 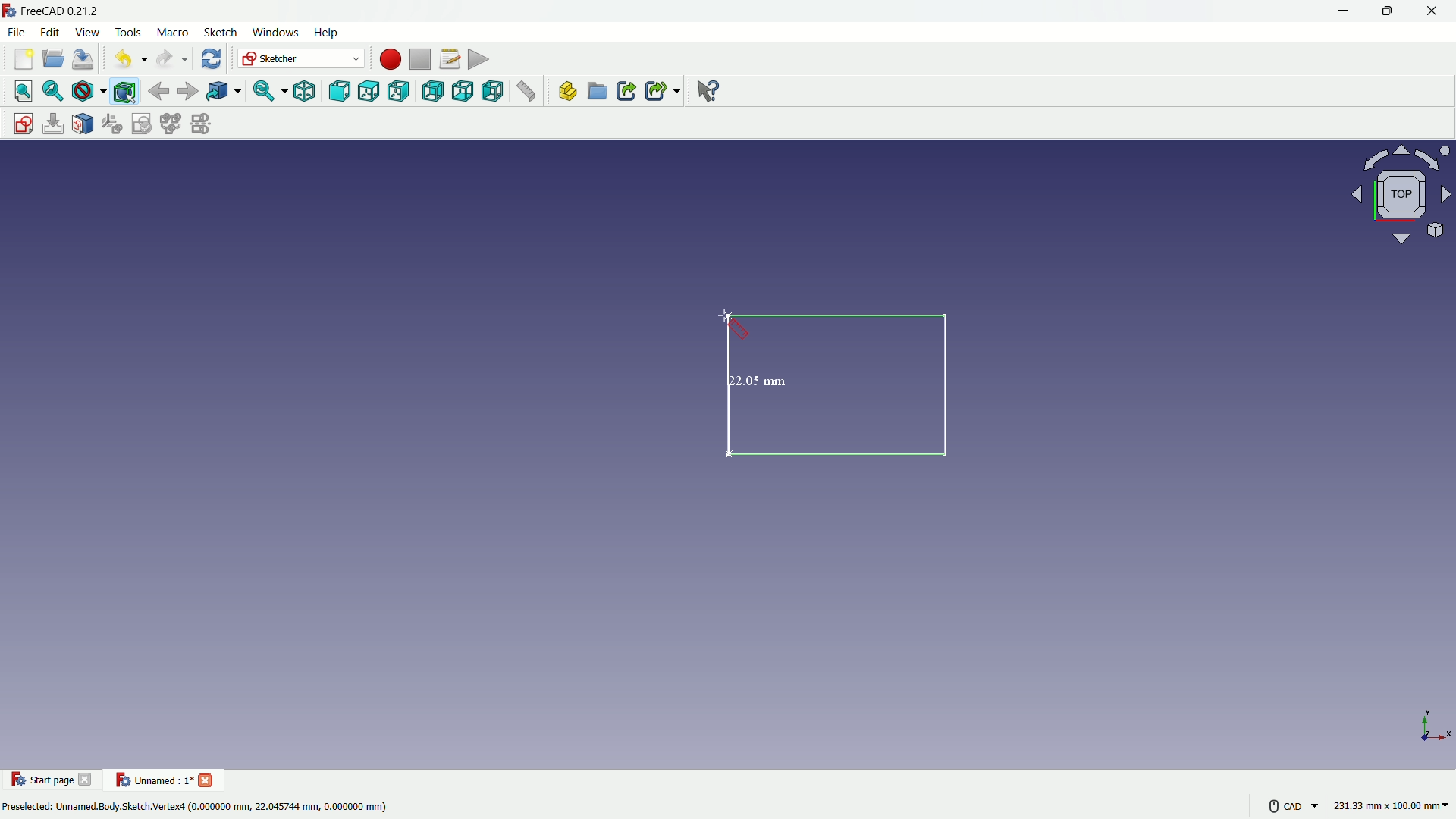 I want to click on macro settings, so click(x=445, y=60).